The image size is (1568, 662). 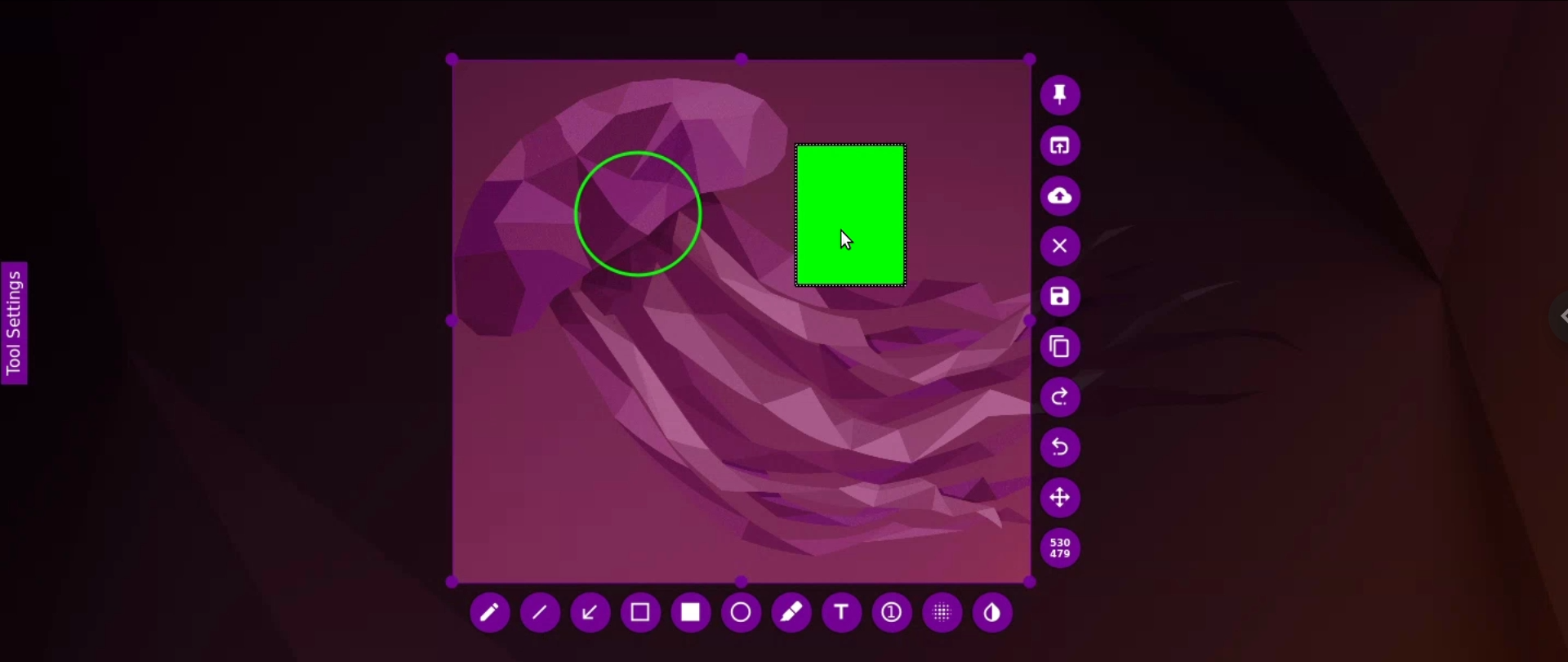 I want to click on rectangle, so click(x=689, y=611).